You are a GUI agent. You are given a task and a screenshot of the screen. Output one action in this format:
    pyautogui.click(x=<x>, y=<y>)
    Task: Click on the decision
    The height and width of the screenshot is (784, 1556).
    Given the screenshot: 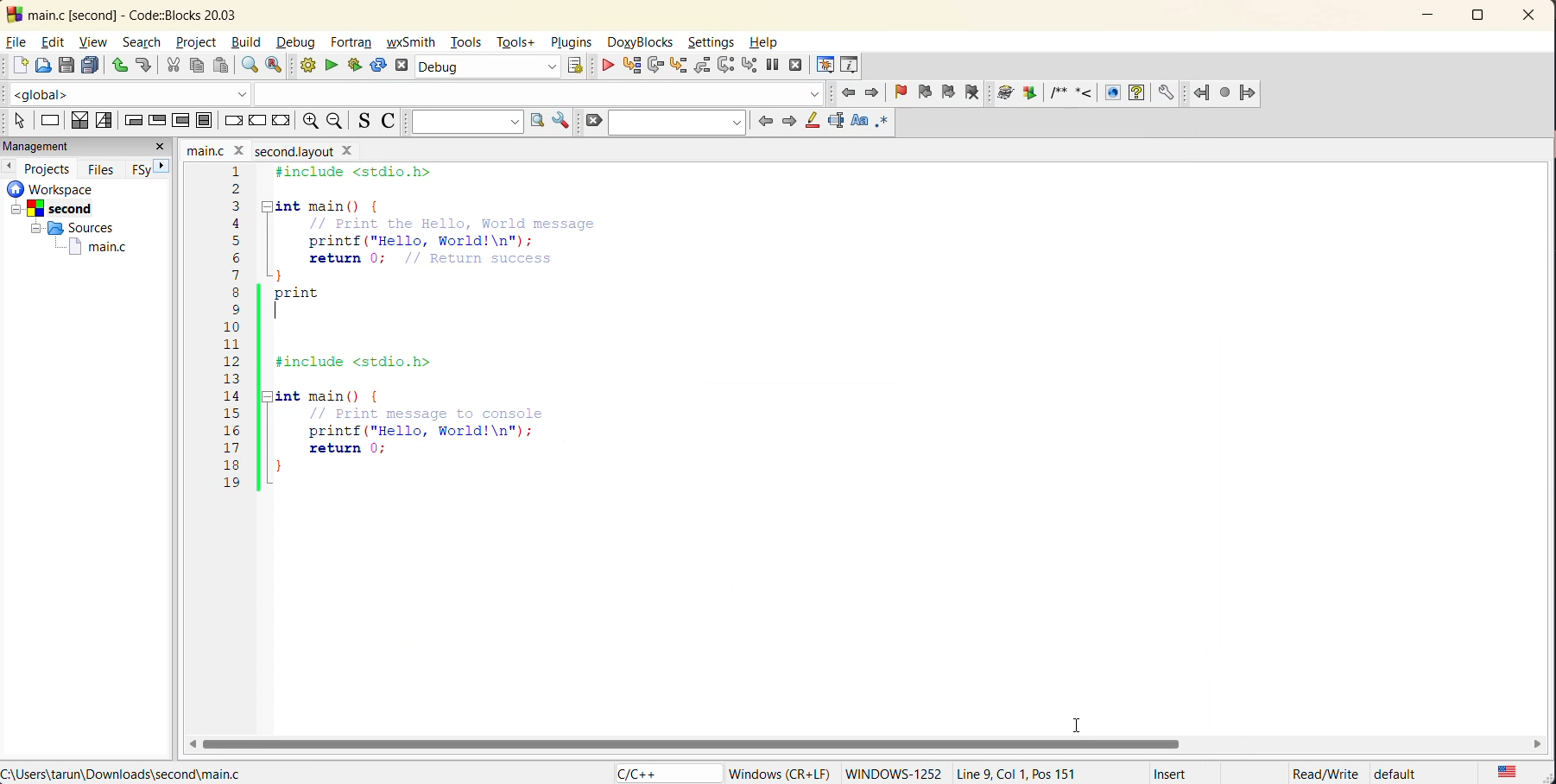 What is the action you would take?
    pyautogui.click(x=79, y=121)
    